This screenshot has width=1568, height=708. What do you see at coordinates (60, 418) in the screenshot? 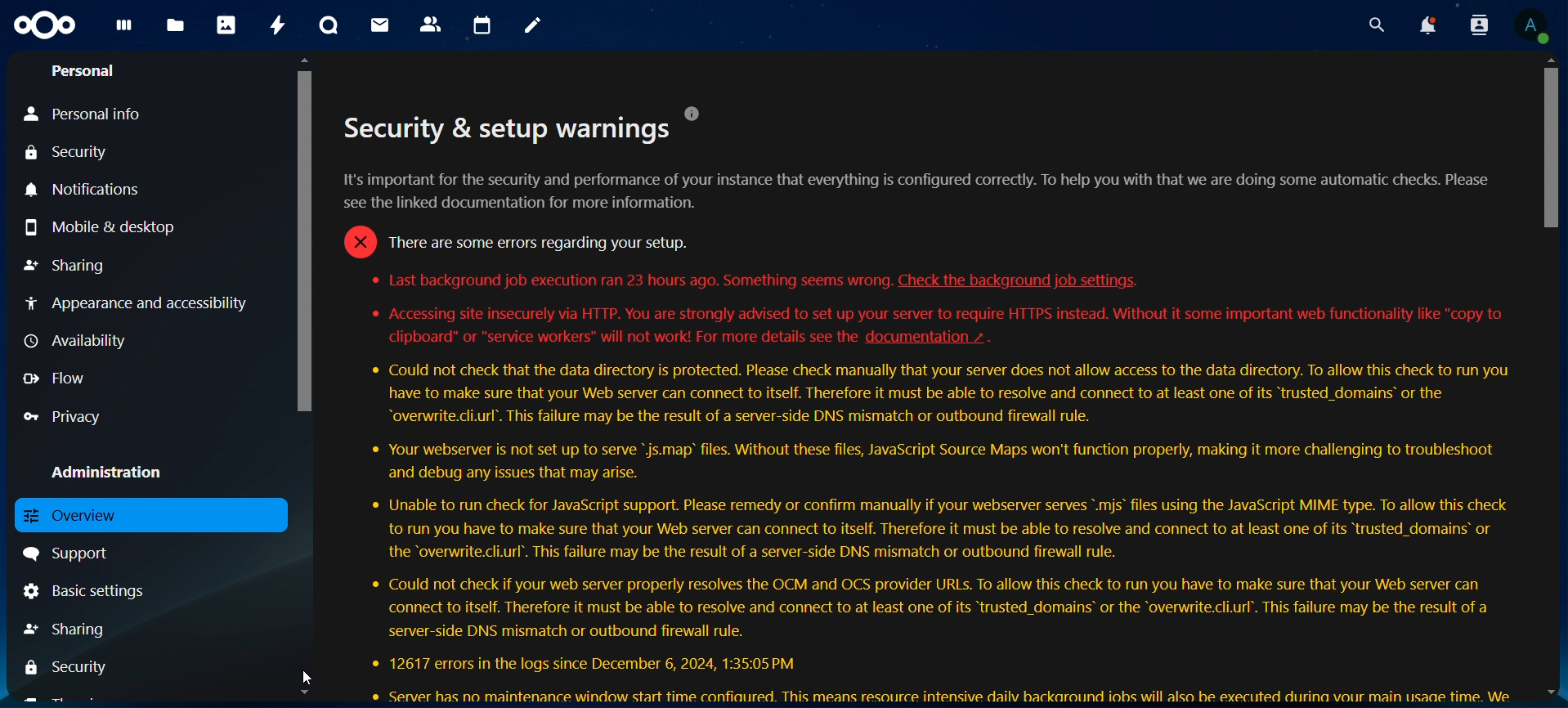
I see `privacy` at bounding box center [60, 418].